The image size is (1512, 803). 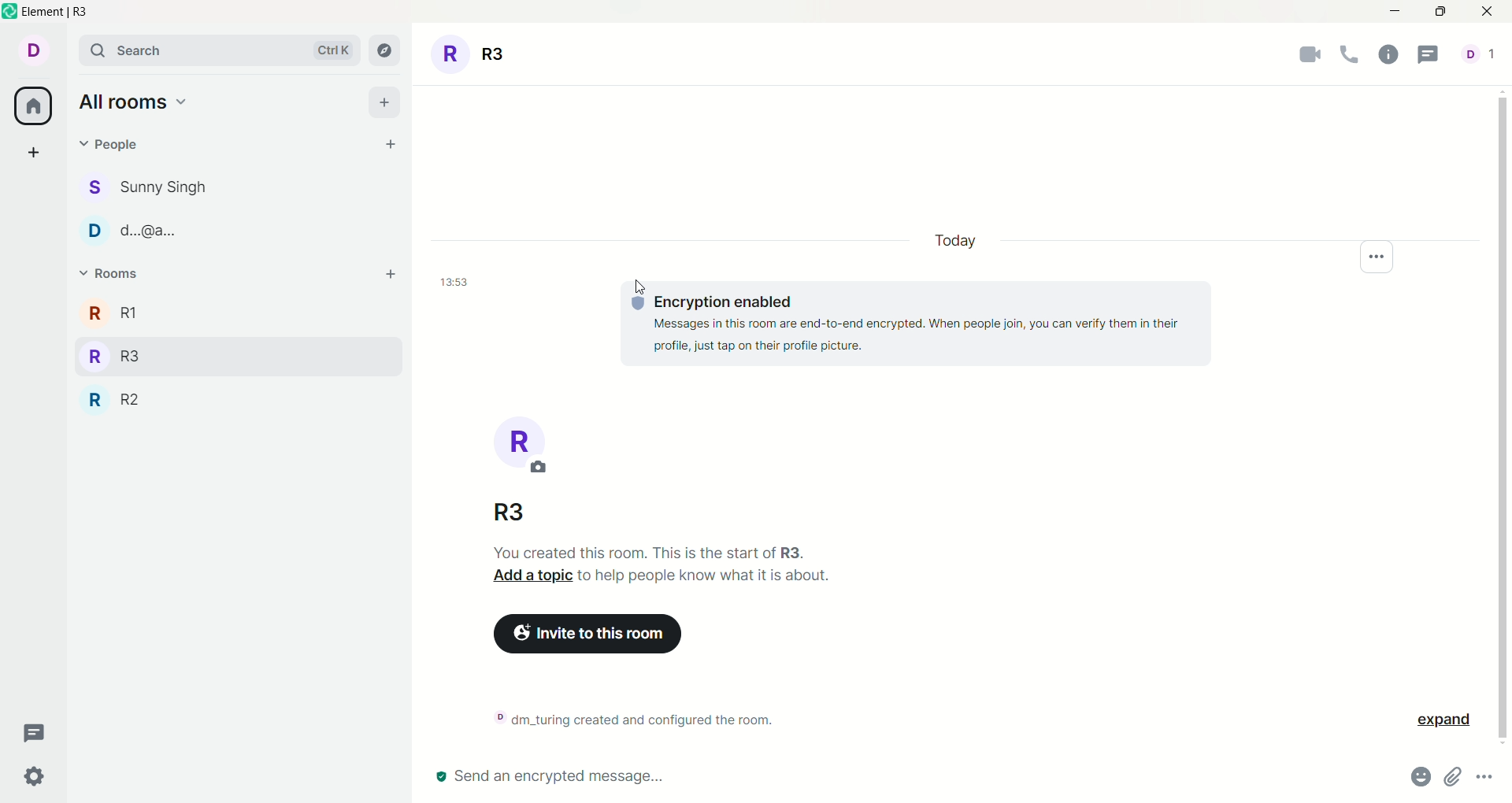 I want to click on attachment, so click(x=1450, y=778).